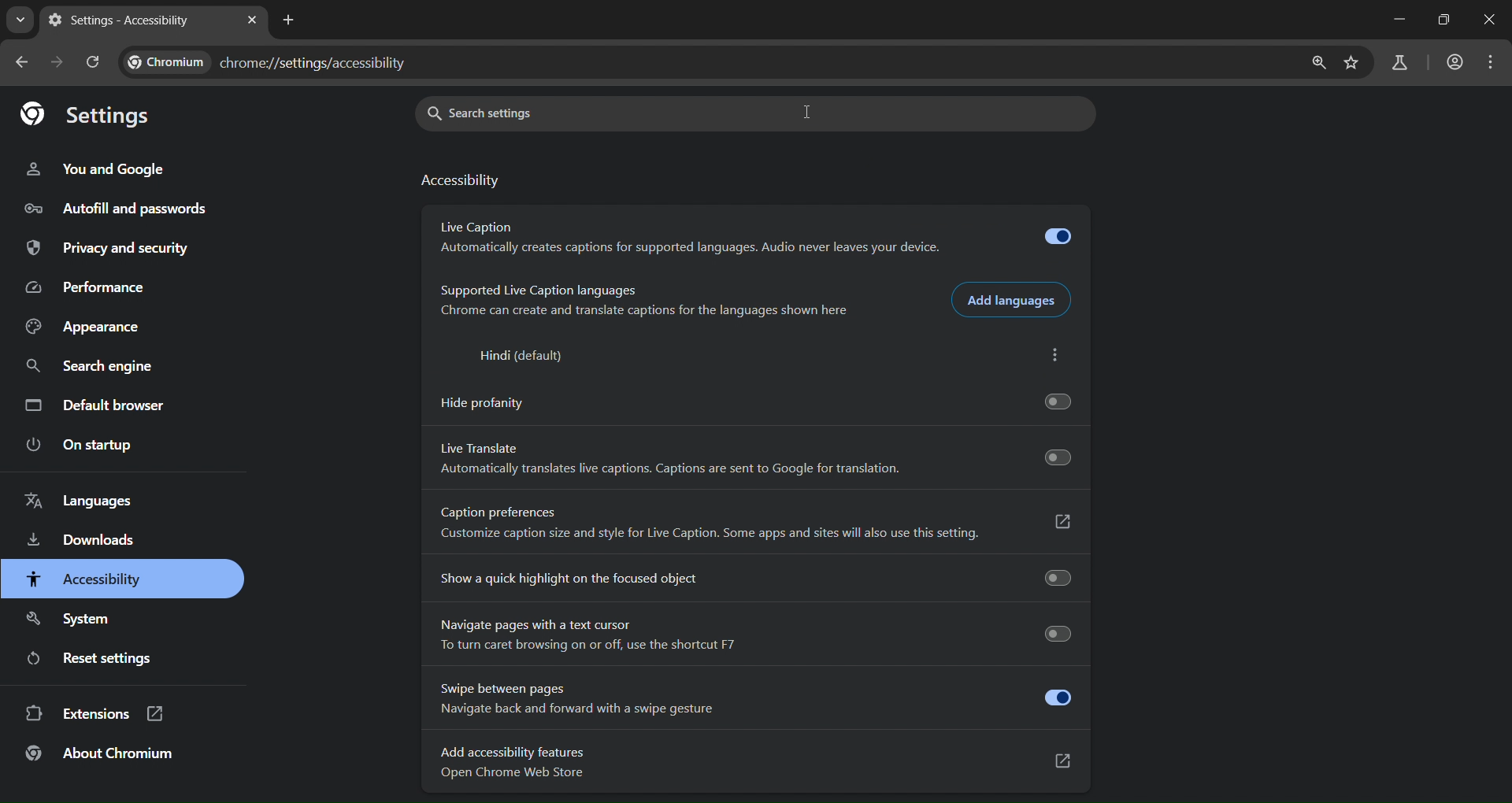 This screenshot has width=1512, height=803. I want to click on performance, so click(89, 287).